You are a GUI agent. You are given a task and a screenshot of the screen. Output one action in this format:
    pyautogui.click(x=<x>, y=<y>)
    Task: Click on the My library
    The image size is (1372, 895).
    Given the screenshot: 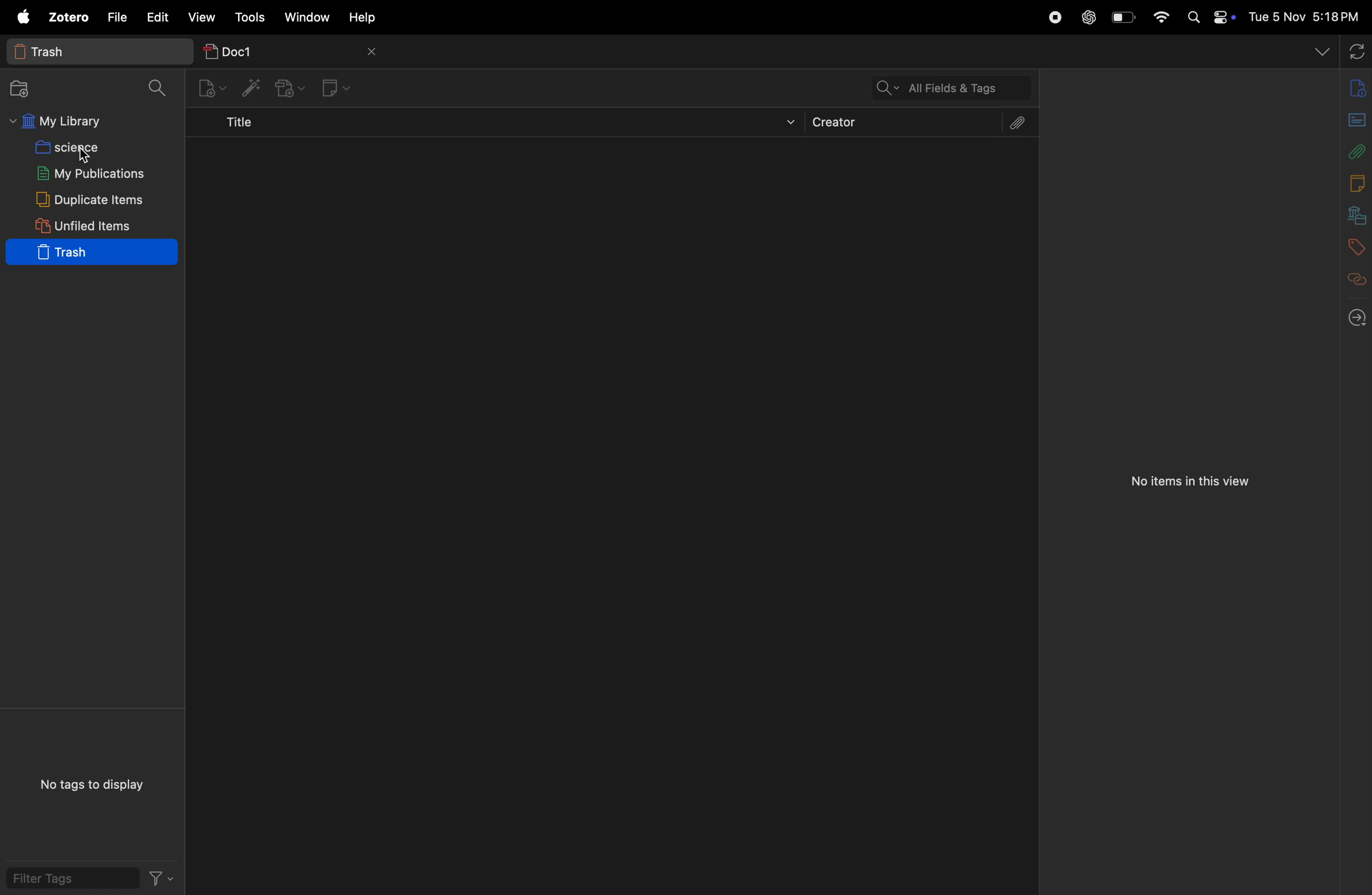 What is the action you would take?
    pyautogui.click(x=84, y=122)
    